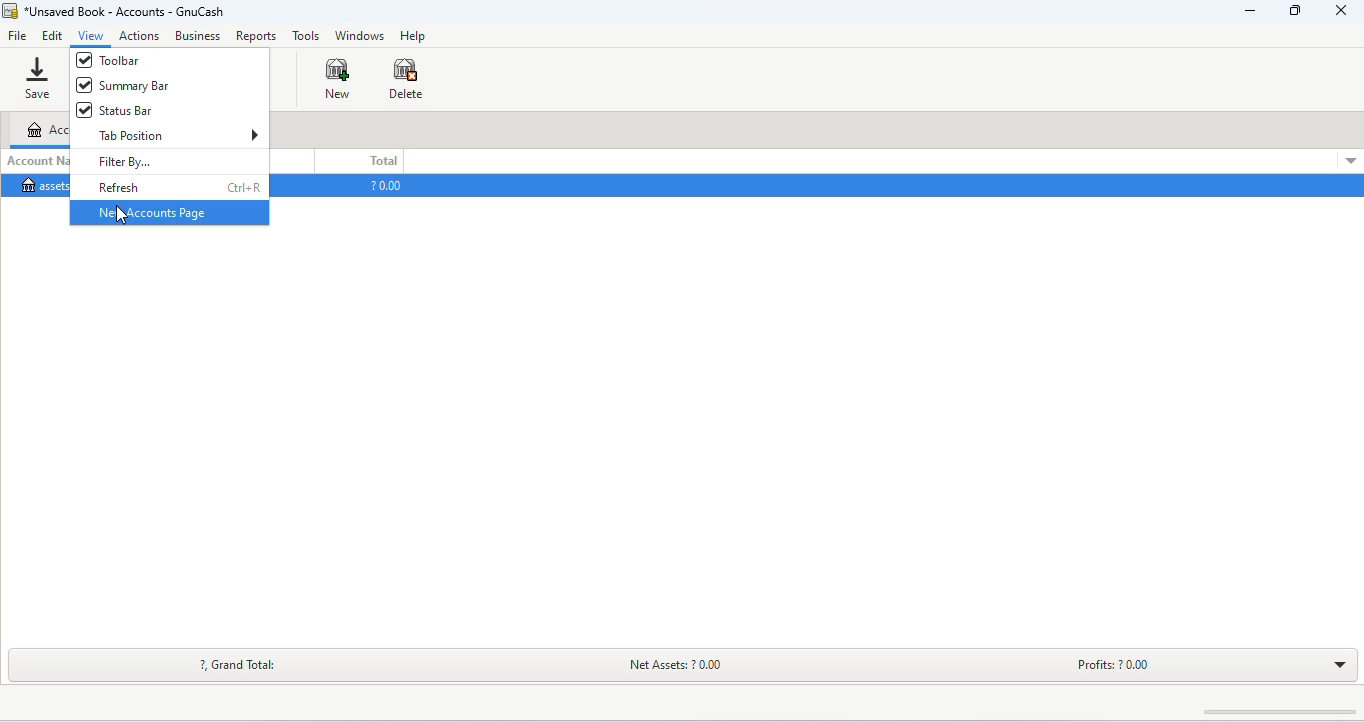 This screenshot has height=722, width=1364. What do you see at coordinates (129, 62) in the screenshot?
I see `toolbar` at bounding box center [129, 62].